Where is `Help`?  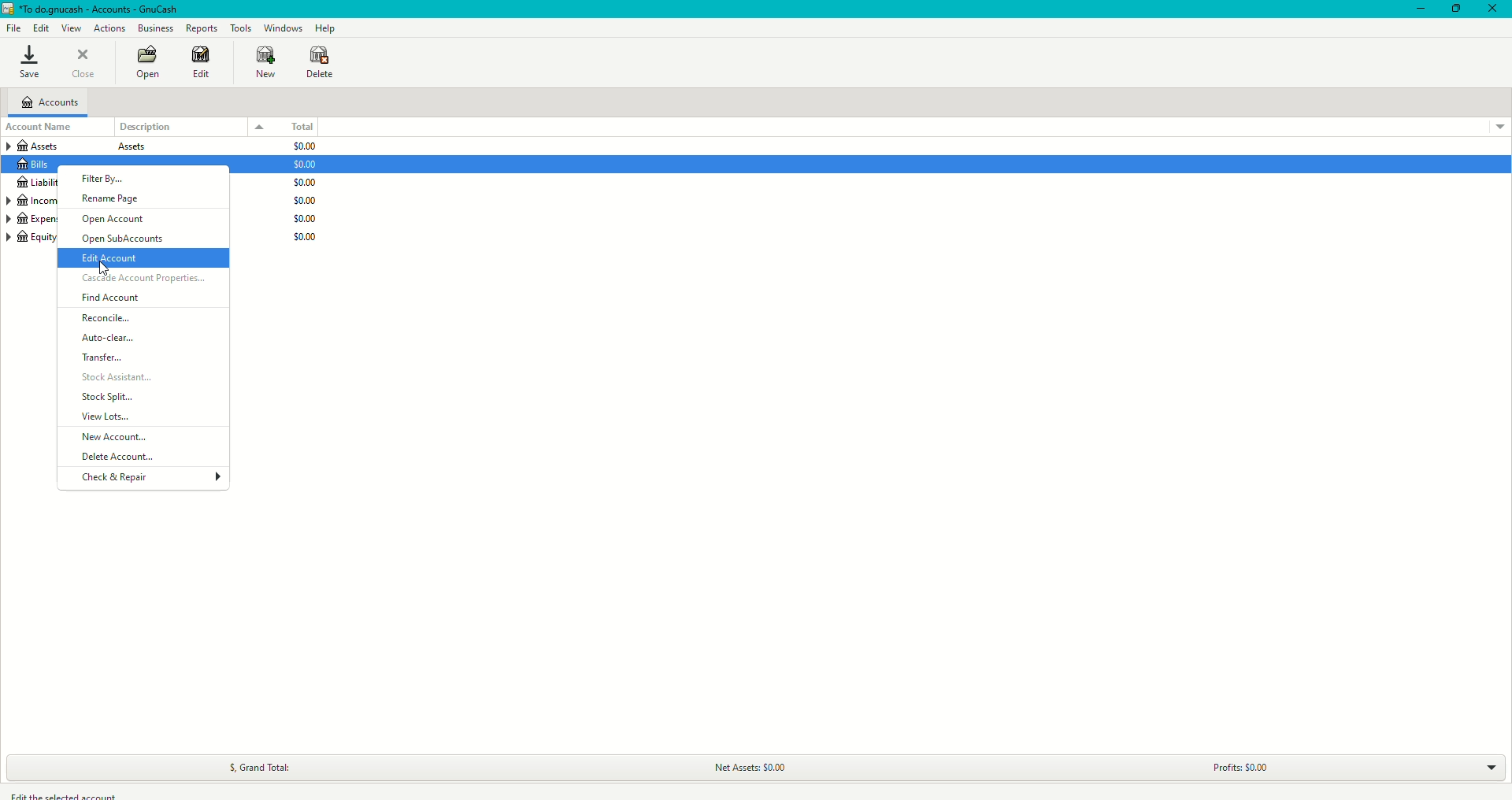
Help is located at coordinates (326, 29).